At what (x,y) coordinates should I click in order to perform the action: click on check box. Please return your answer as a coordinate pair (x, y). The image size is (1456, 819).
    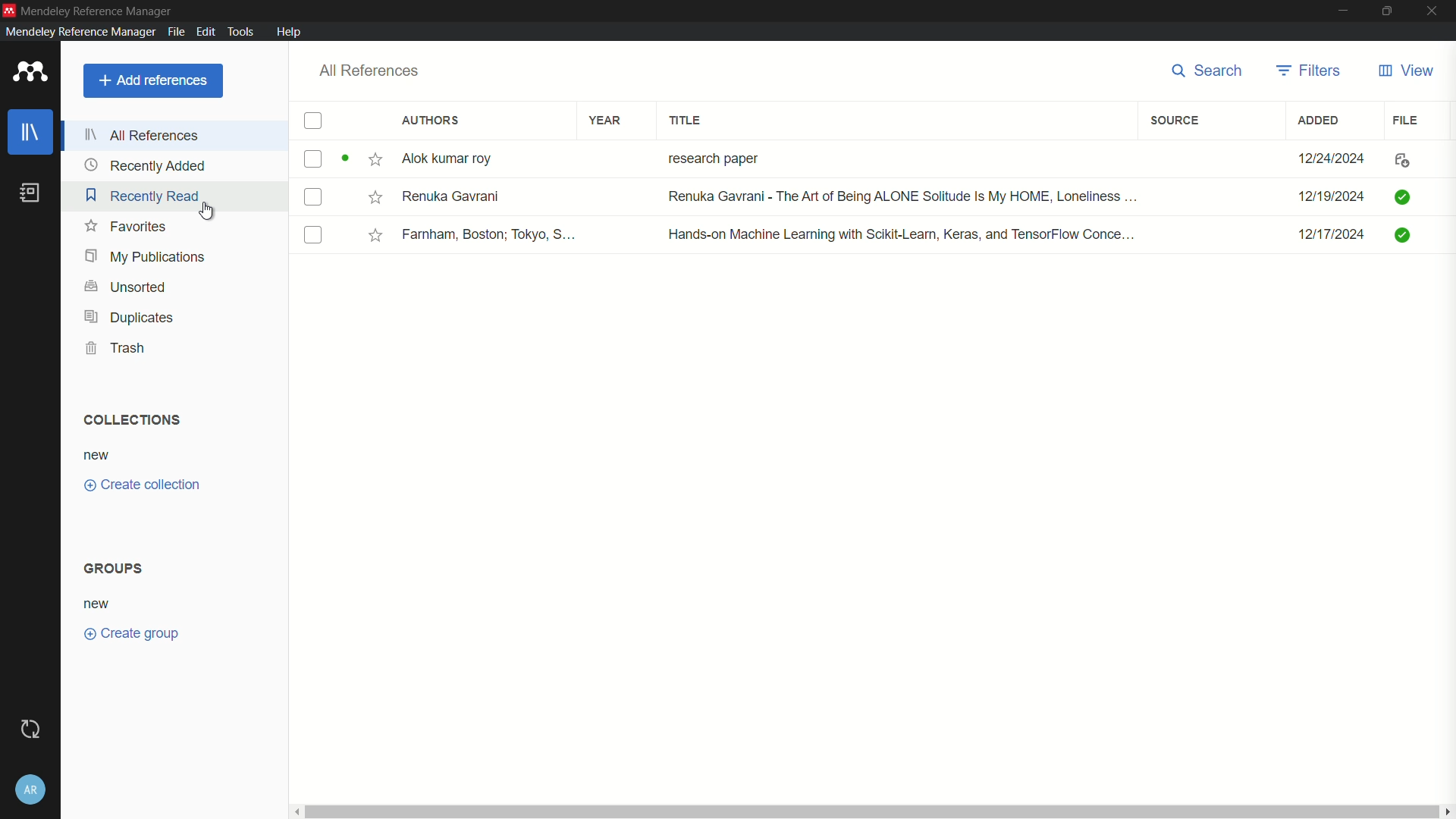
    Looking at the image, I should click on (314, 121).